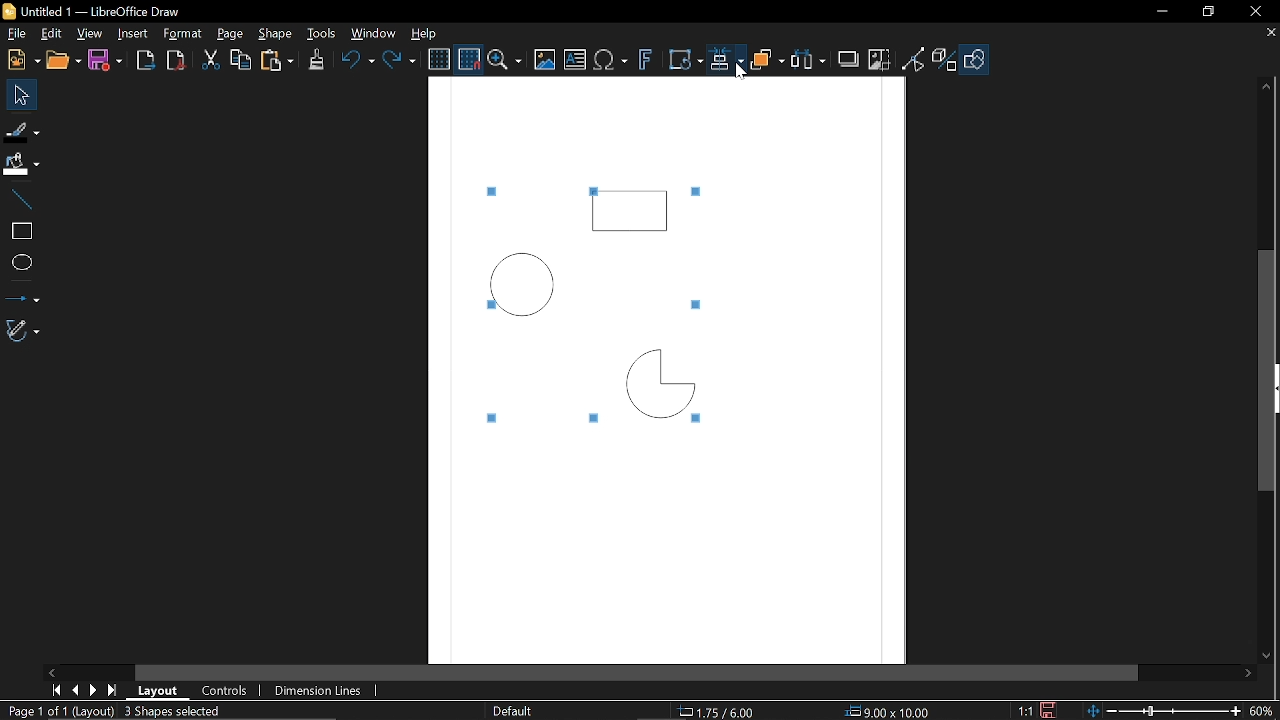 Image resolution: width=1280 pixels, height=720 pixels. What do you see at coordinates (1272, 39) in the screenshot?
I see `close tab` at bounding box center [1272, 39].